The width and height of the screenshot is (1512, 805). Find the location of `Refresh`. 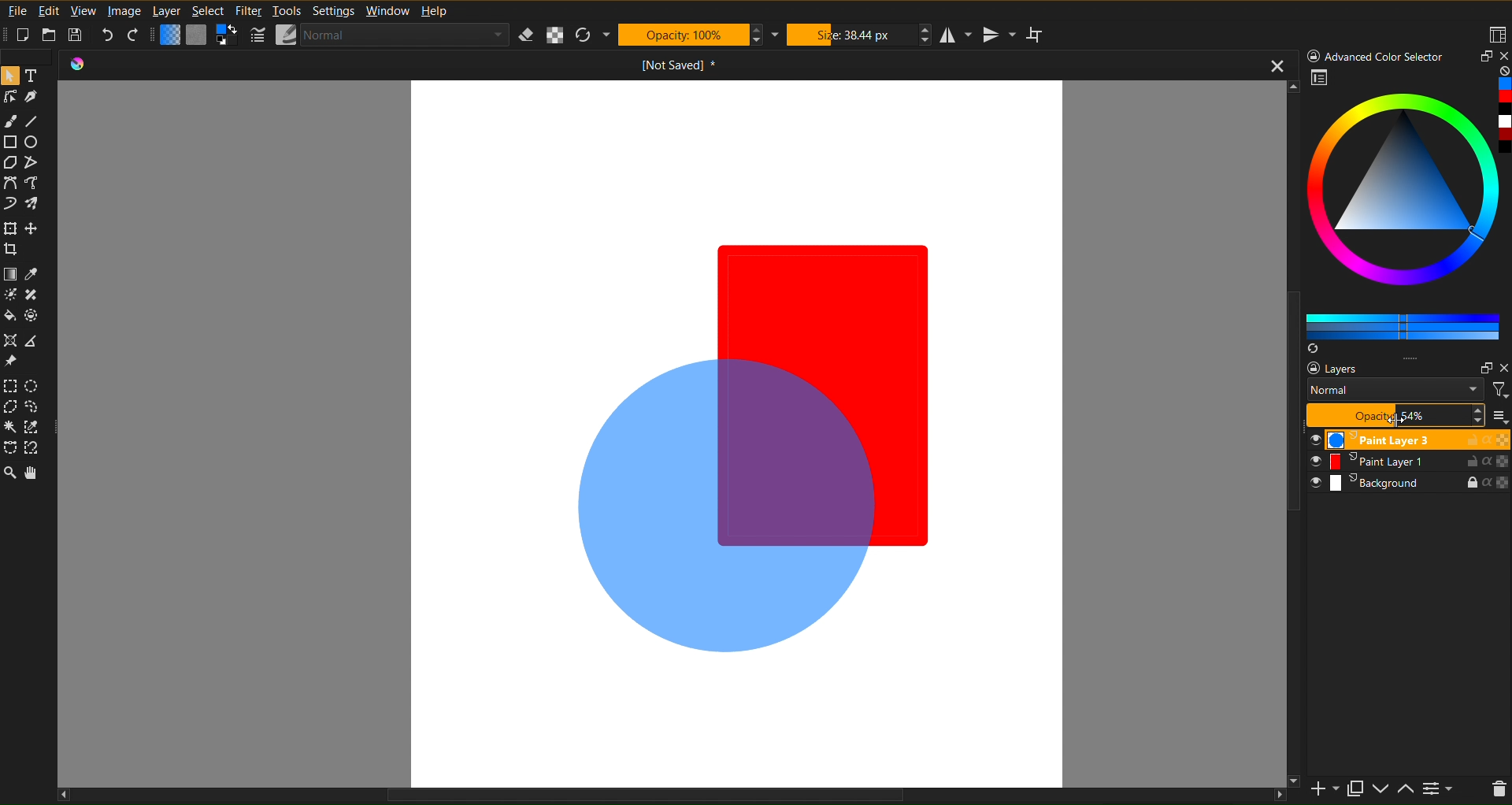

Refresh is located at coordinates (587, 35).